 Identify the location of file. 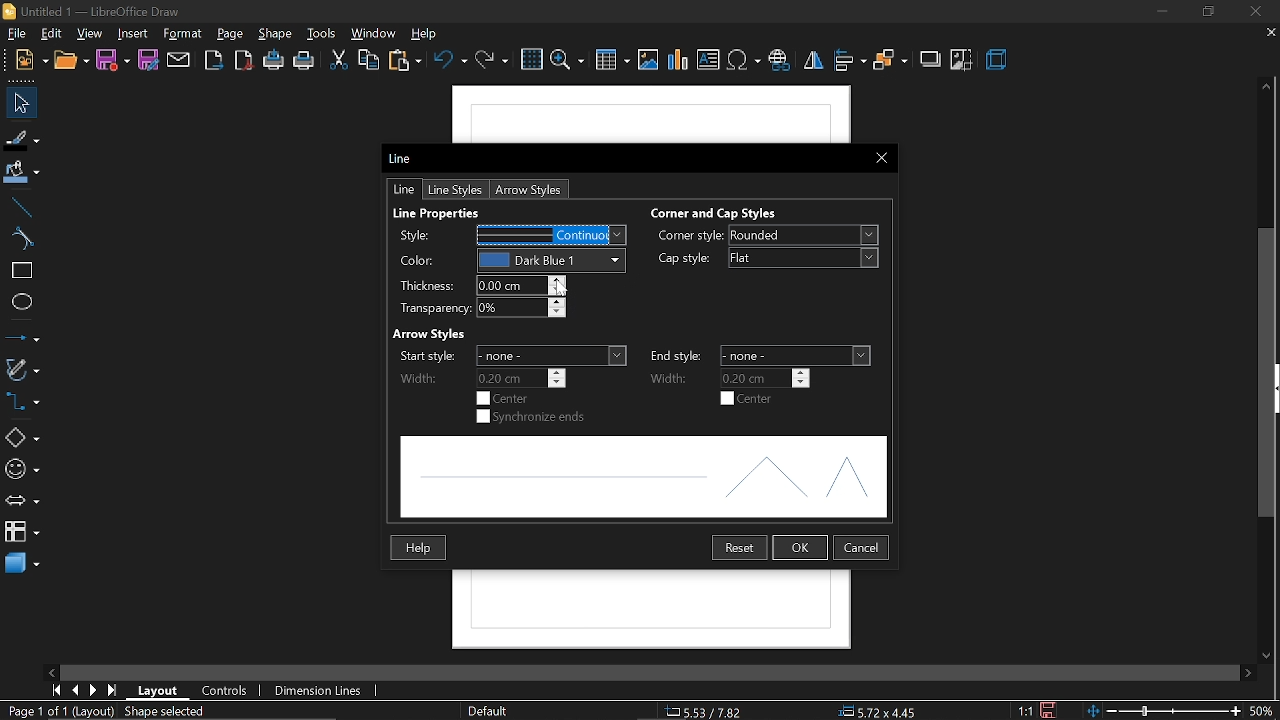
(32, 60).